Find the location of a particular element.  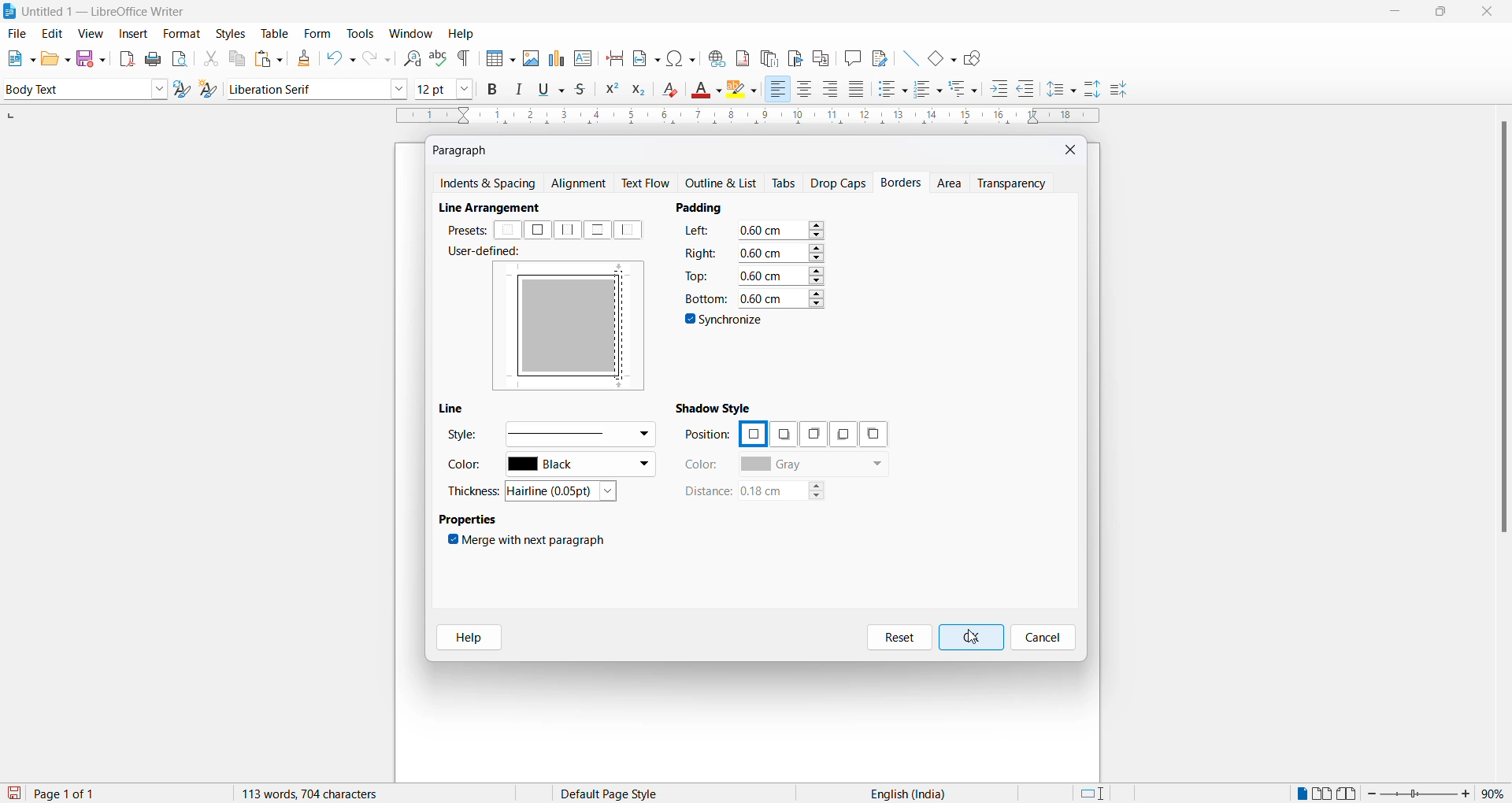

save as is located at coordinates (94, 55).